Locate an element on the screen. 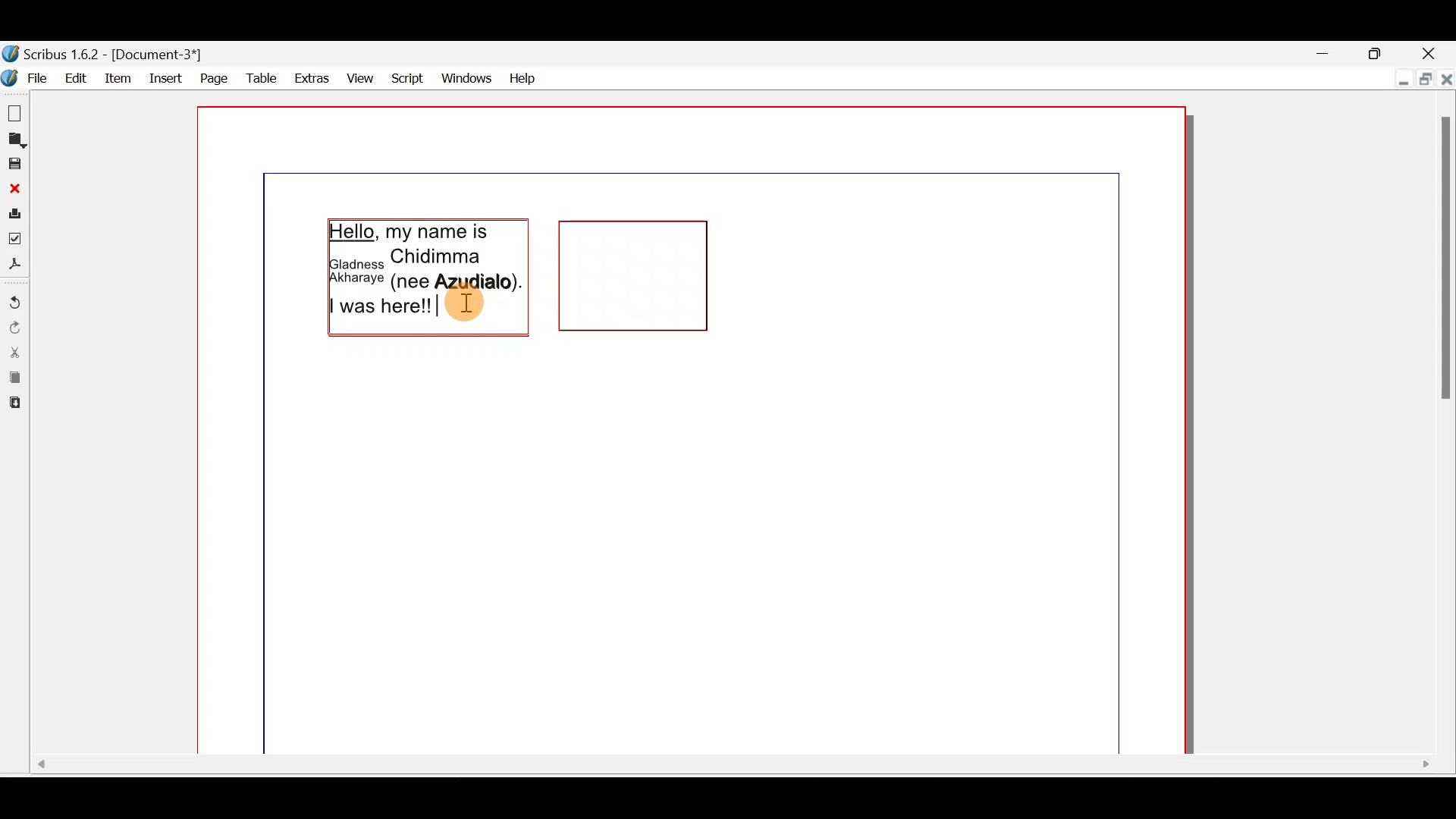  File is located at coordinates (27, 76).